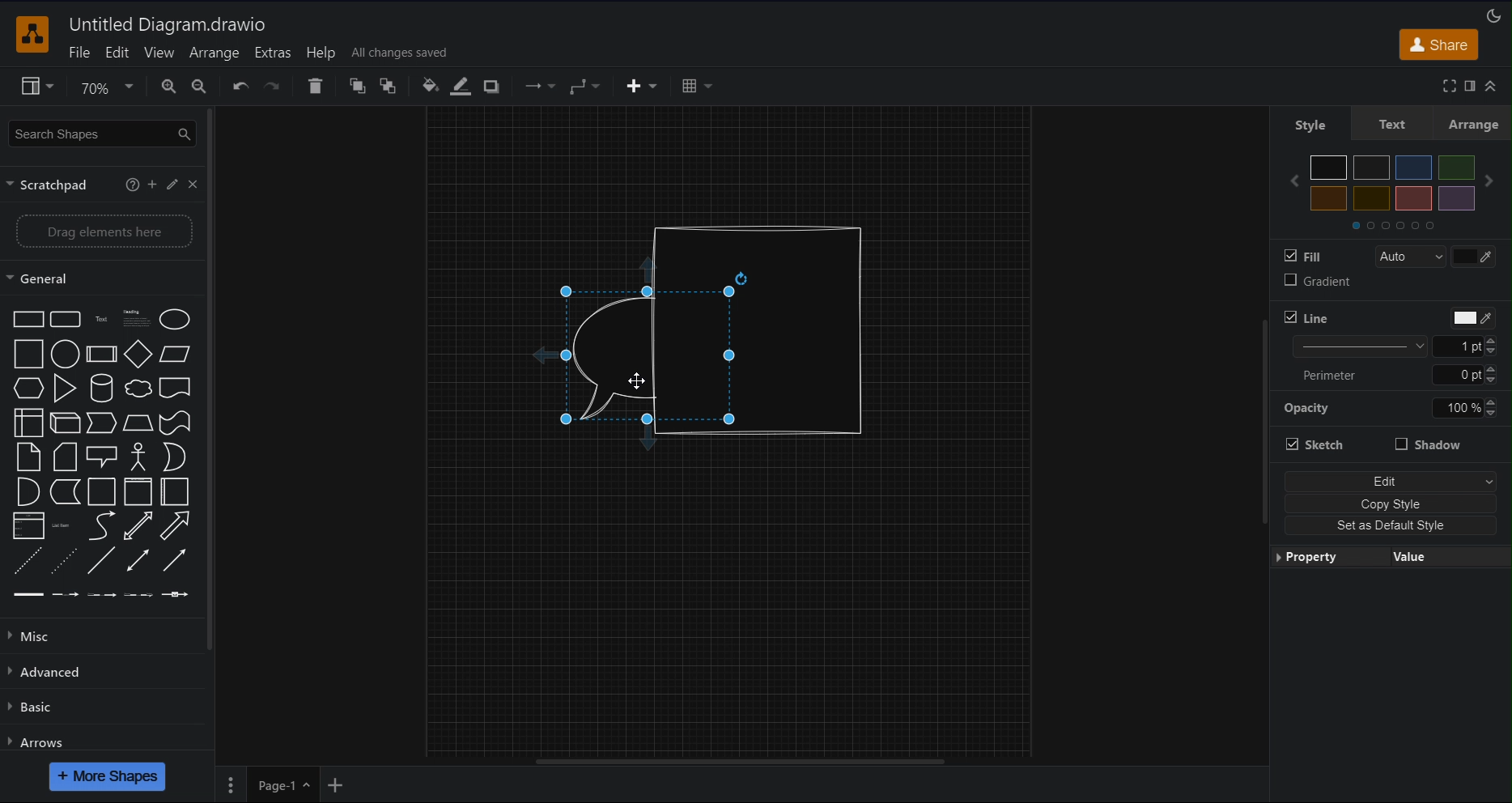 The width and height of the screenshot is (1512, 803). Describe the element at coordinates (1311, 122) in the screenshot. I see `Style` at that location.